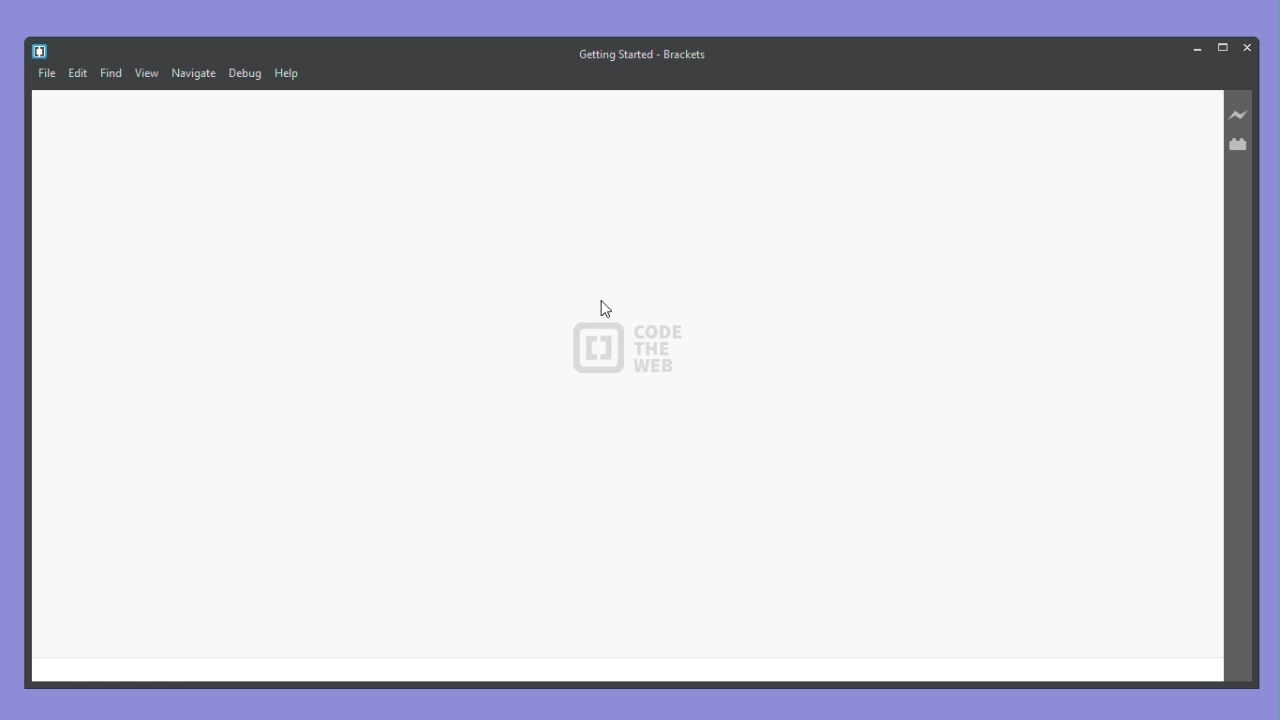 Image resolution: width=1280 pixels, height=720 pixels. Describe the element at coordinates (194, 75) in the screenshot. I see `Navigate` at that location.